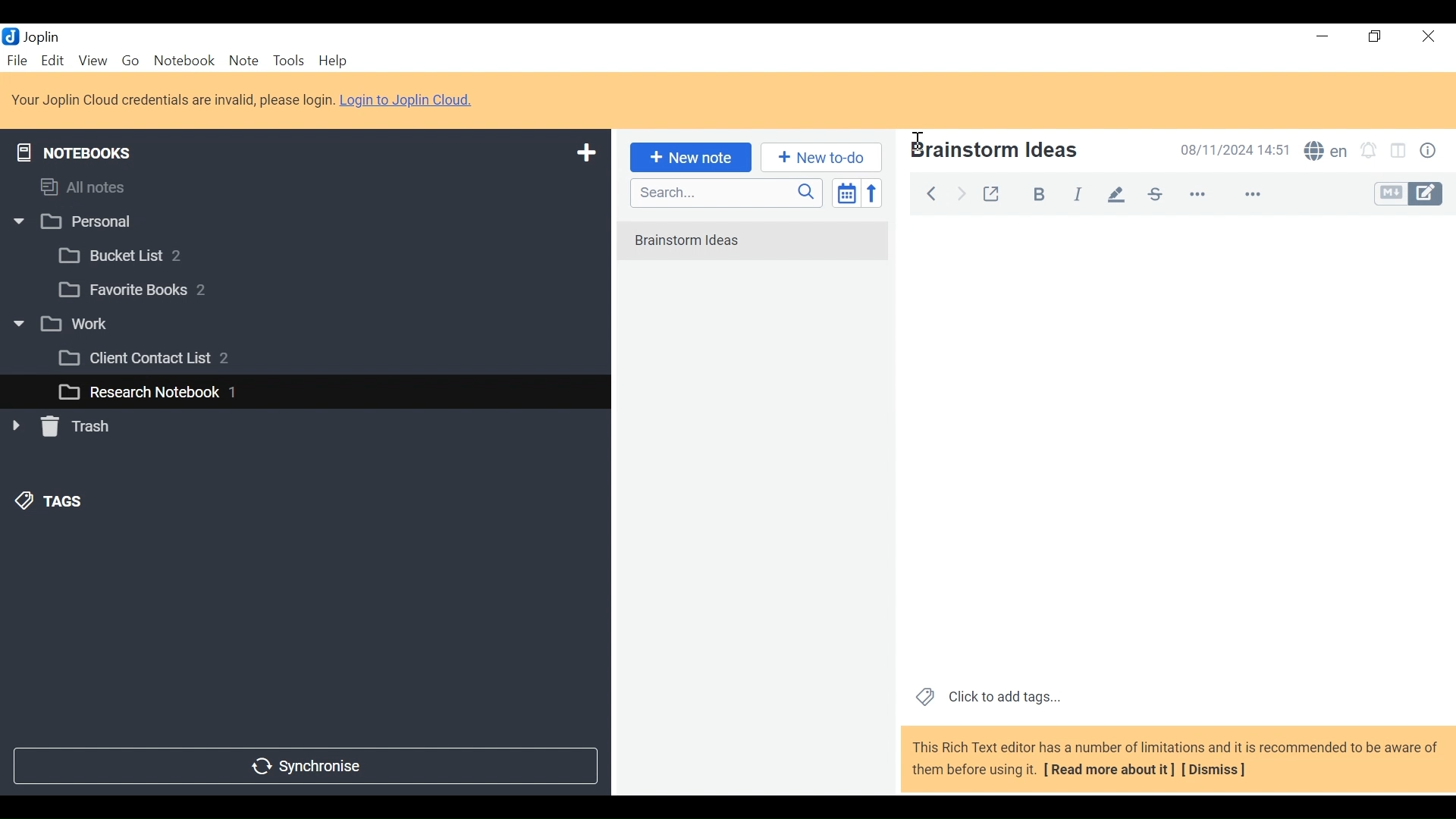 The image size is (1456, 819). I want to click on Set alarm, so click(1369, 152).